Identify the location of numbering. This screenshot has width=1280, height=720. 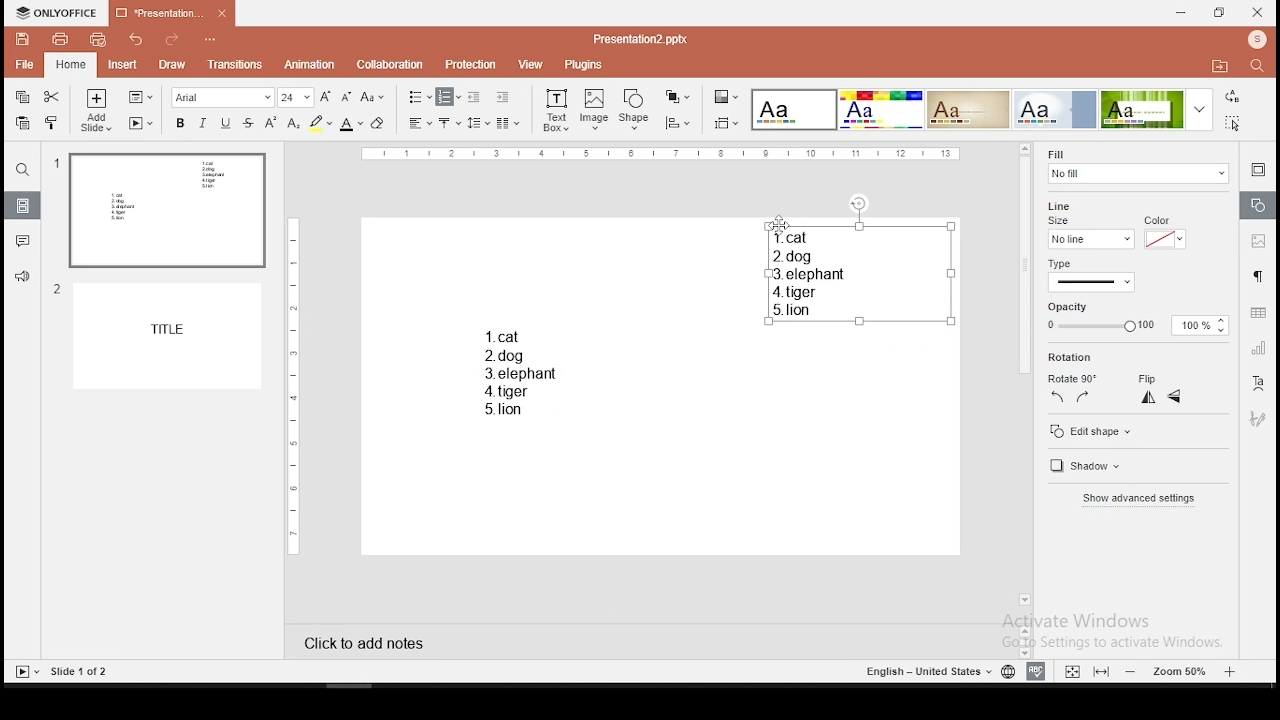
(449, 97).